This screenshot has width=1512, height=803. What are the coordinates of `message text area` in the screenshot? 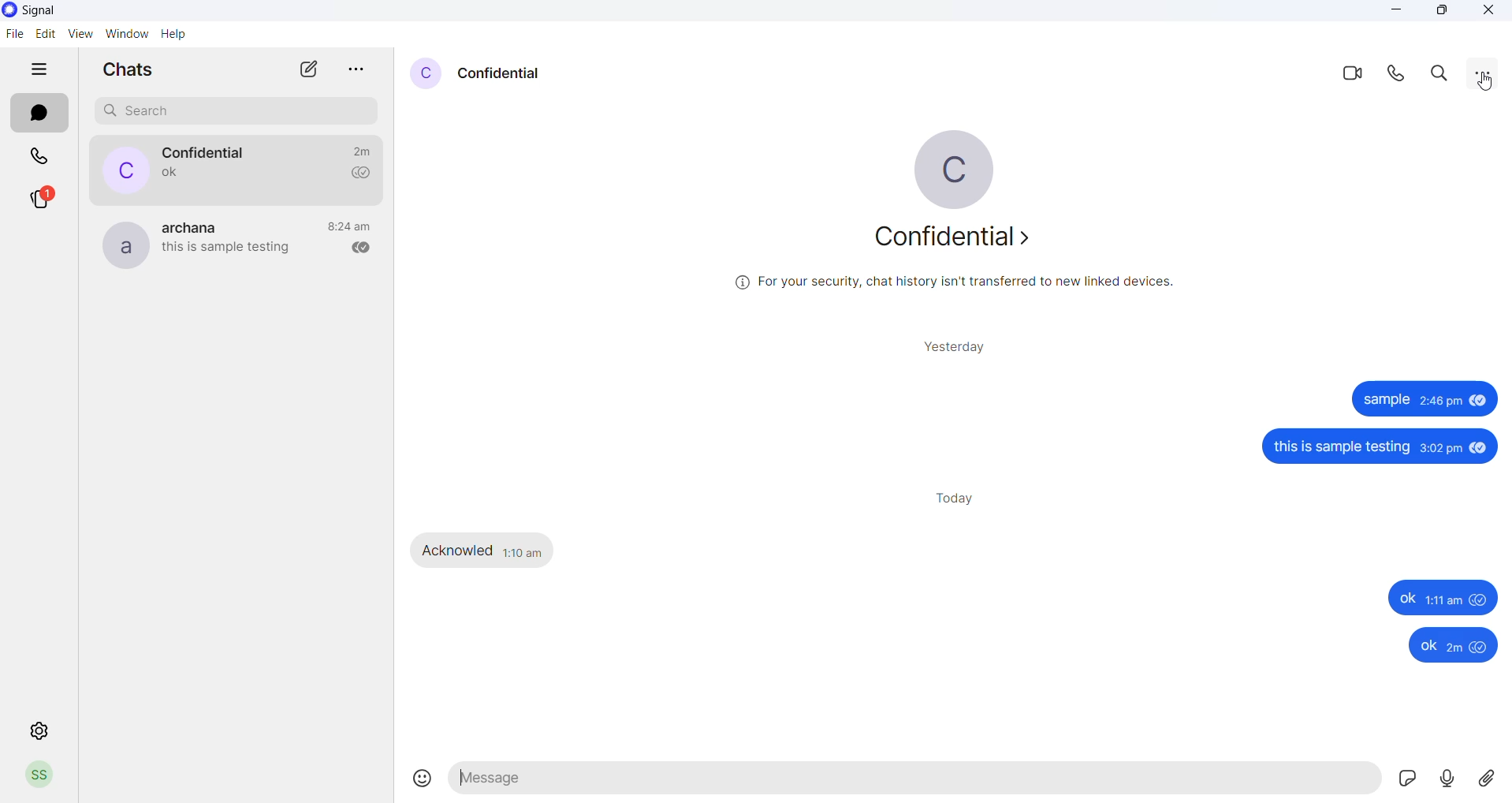 It's located at (916, 780).